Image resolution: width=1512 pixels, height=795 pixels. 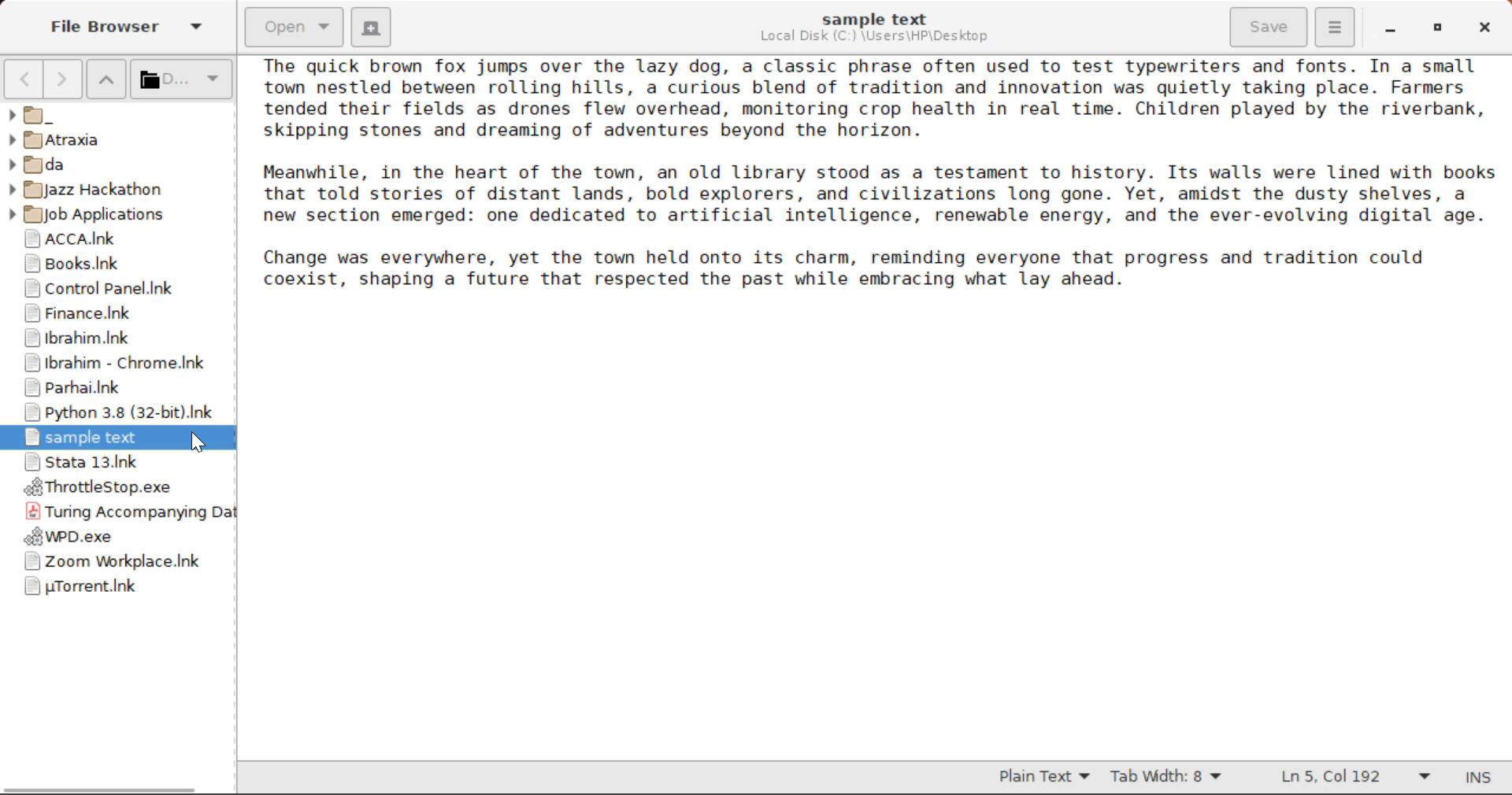 I want to click on Input Mode, so click(x=1484, y=778).